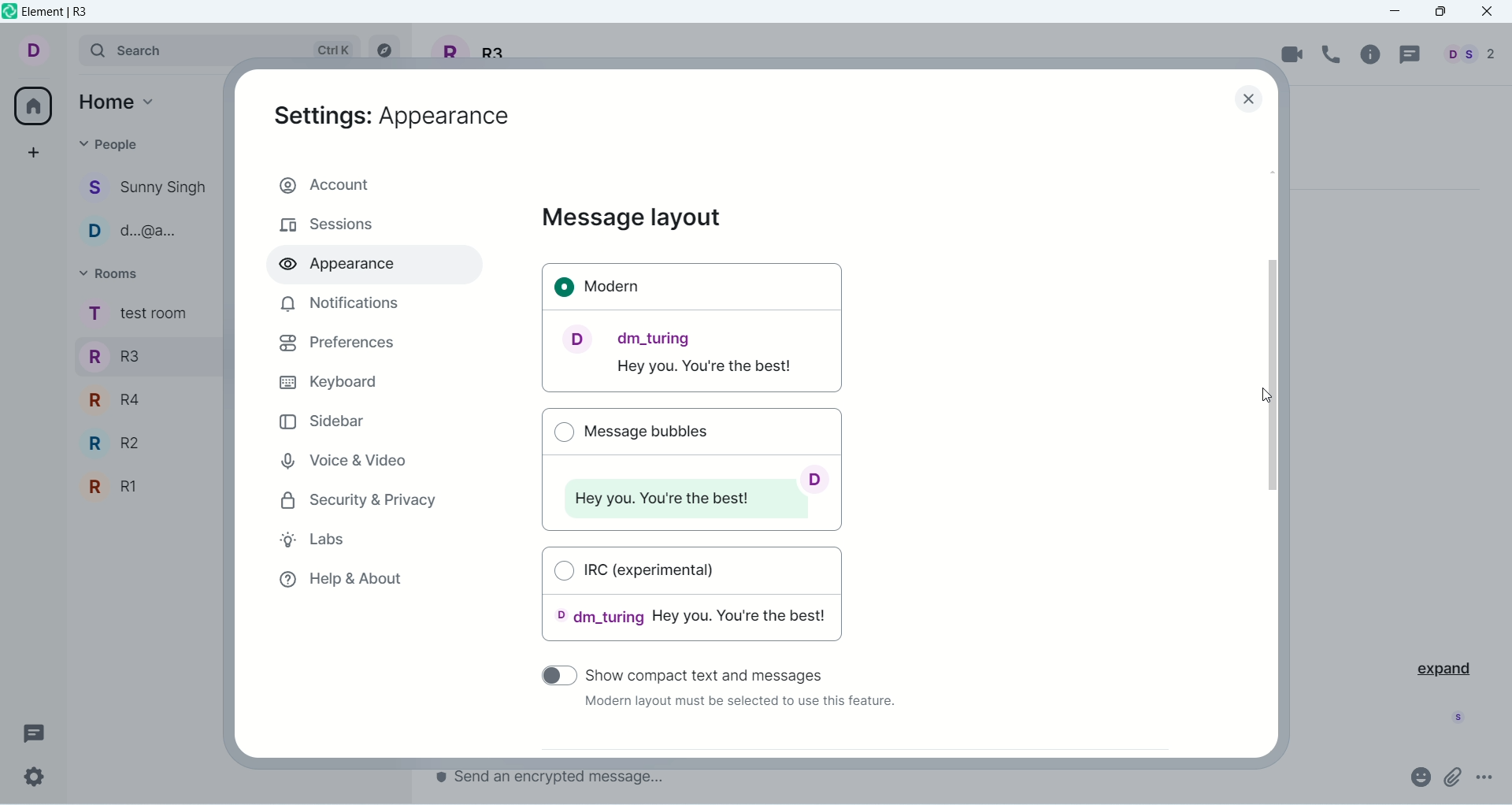 This screenshot has width=1512, height=805. What do you see at coordinates (327, 226) in the screenshot?
I see `sessions` at bounding box center [327, 226].